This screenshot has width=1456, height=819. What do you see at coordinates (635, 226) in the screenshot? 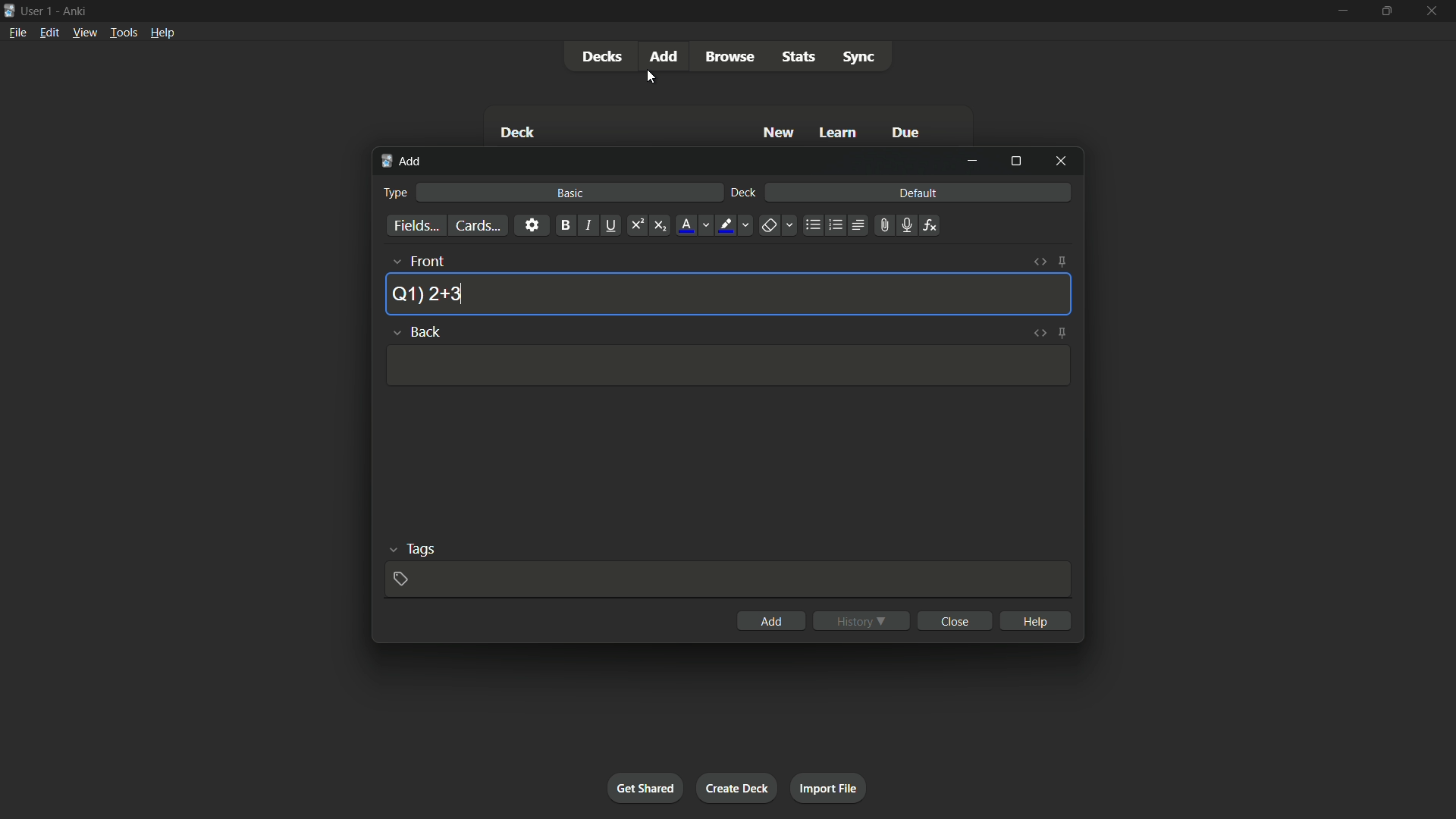
I see `supercript` at bounding box center [635, 226].